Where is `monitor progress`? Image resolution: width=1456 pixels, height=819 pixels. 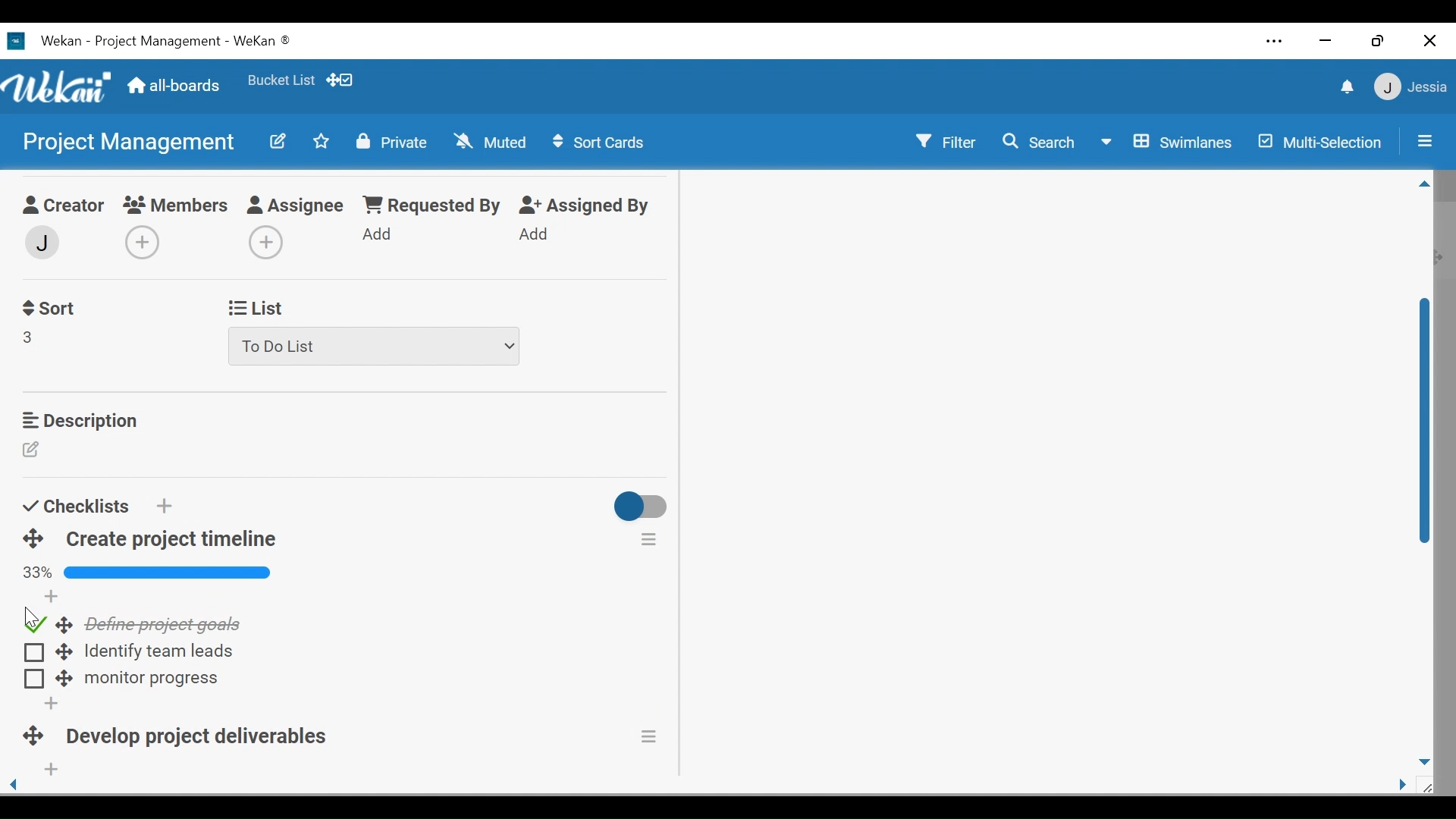 monitor progress is located at coordinates (148, 679).